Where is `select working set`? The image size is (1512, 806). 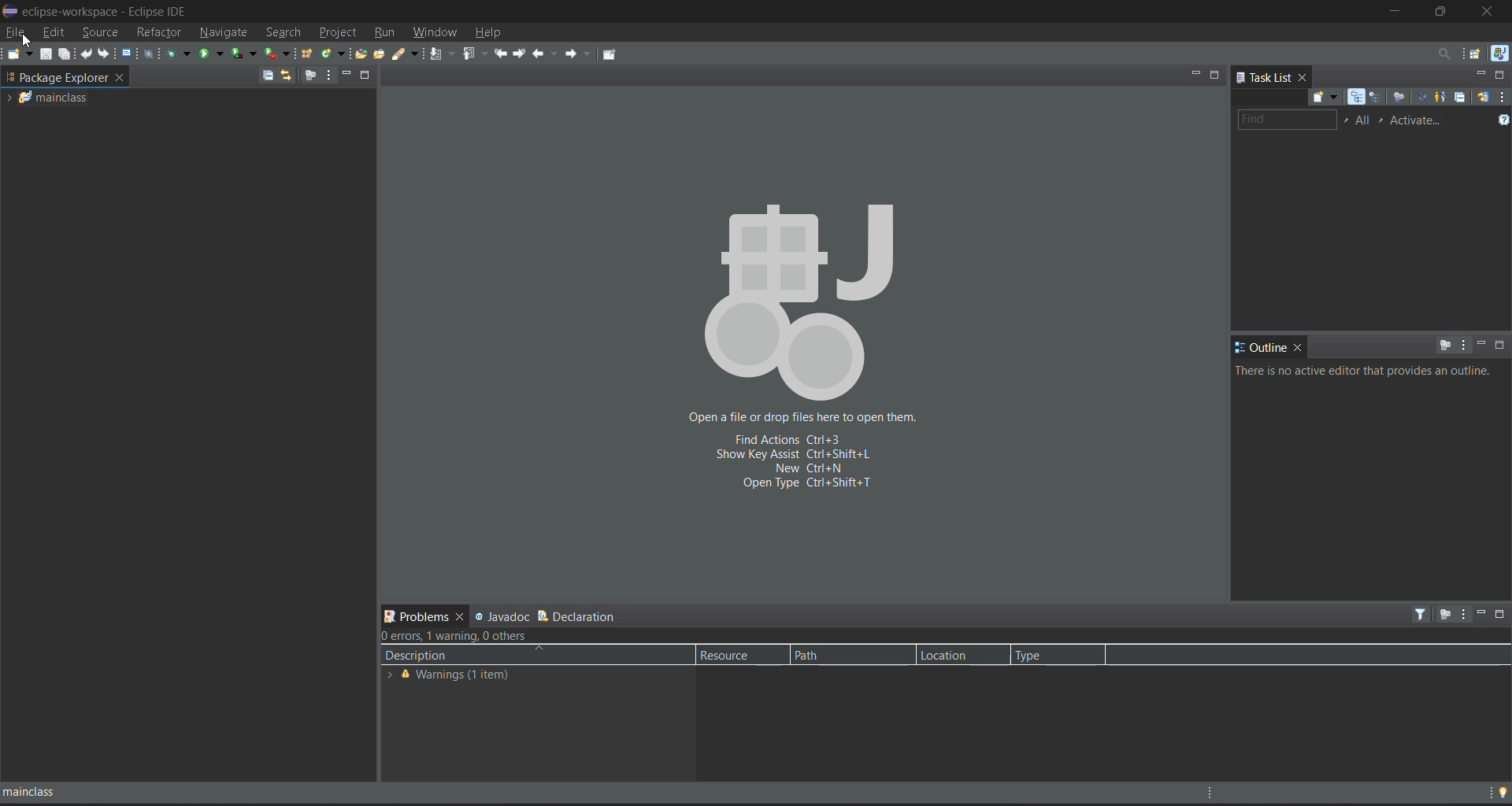
select working set is located at coordinates (1346, 120).